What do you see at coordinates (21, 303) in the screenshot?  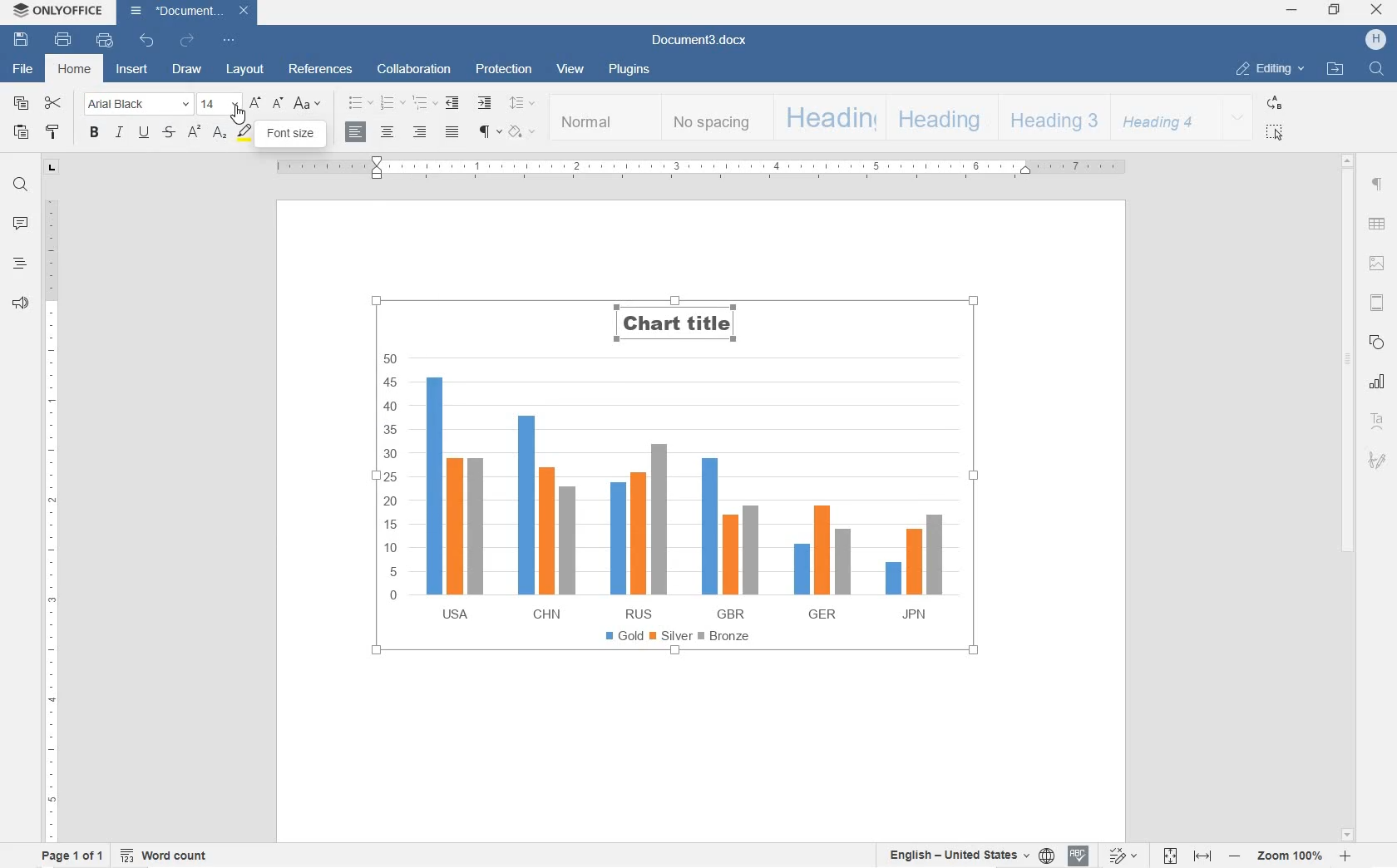 I see `FEEDBACK & SUPPORT` at bounding box center [21, 303].